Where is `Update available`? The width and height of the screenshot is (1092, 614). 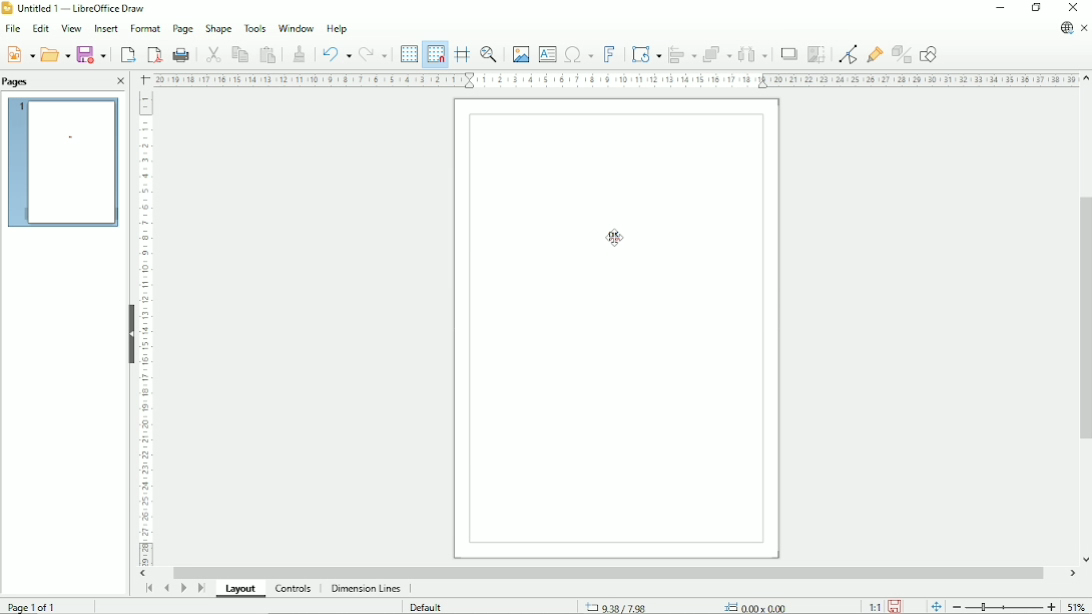
Update available is located at coordinates (1066, 27).